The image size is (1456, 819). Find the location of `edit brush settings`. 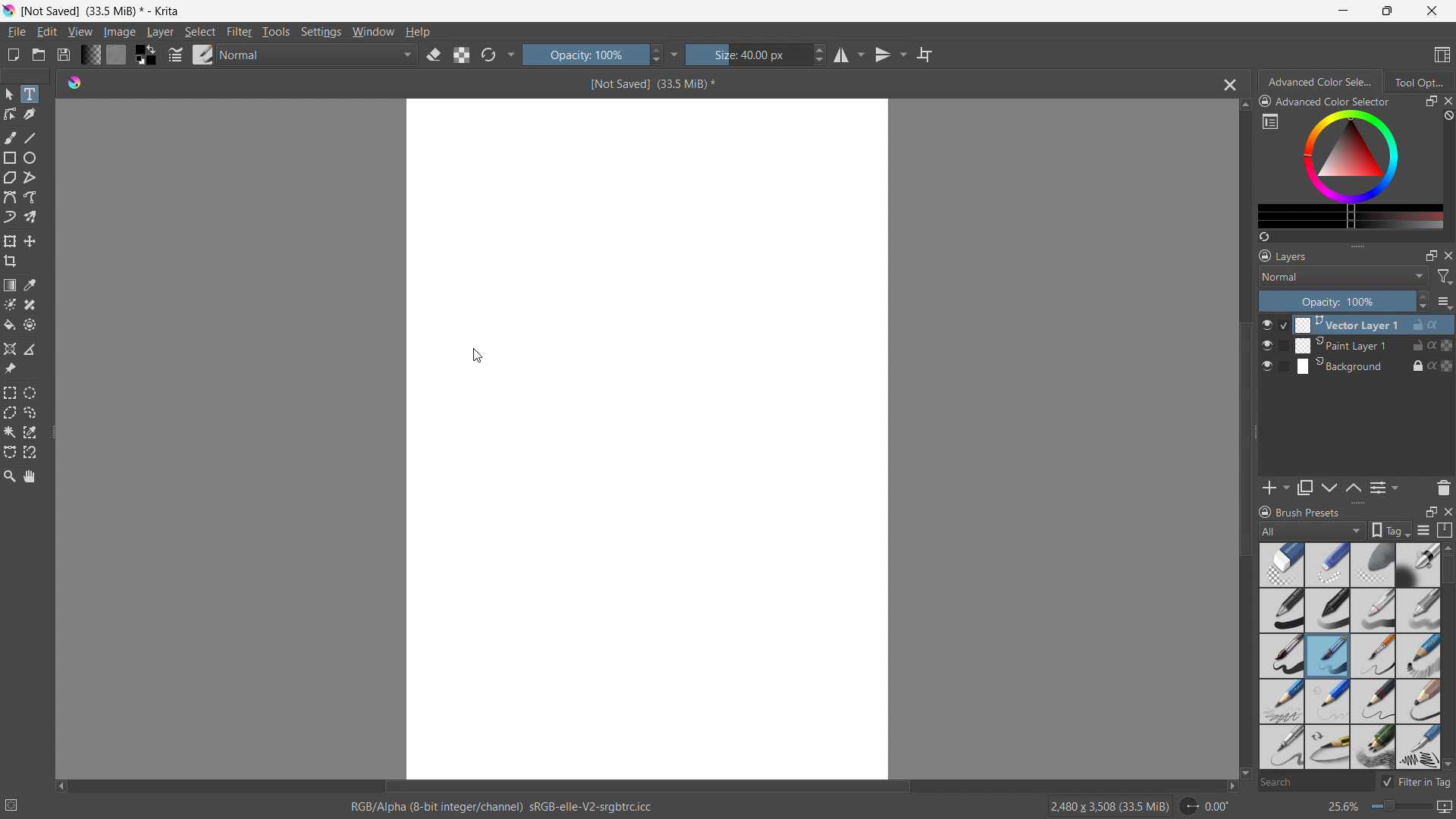

edit brush settings is located at coordinates (175, 55).